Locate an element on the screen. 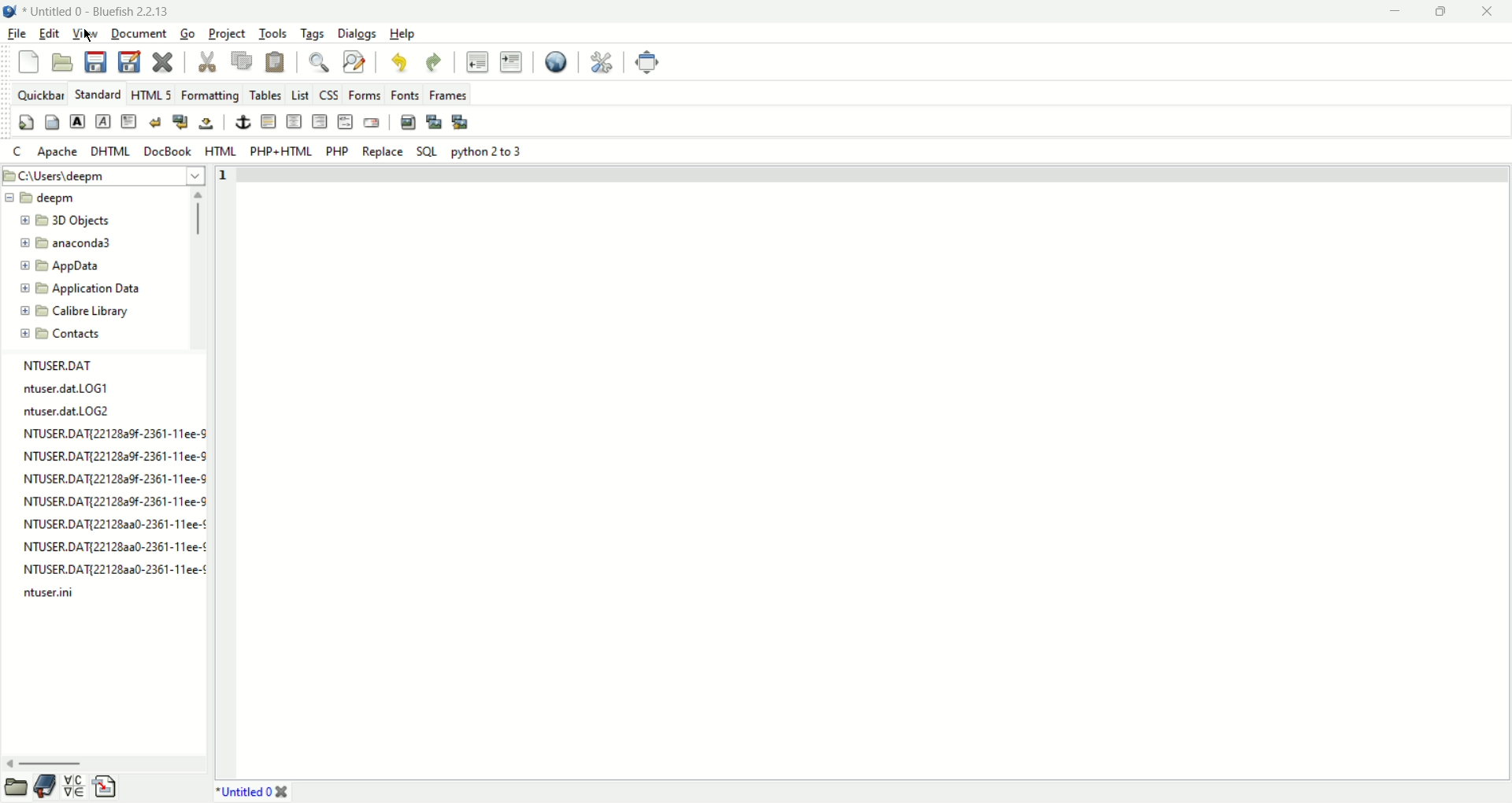  undo is located at coordinates (401, 64).